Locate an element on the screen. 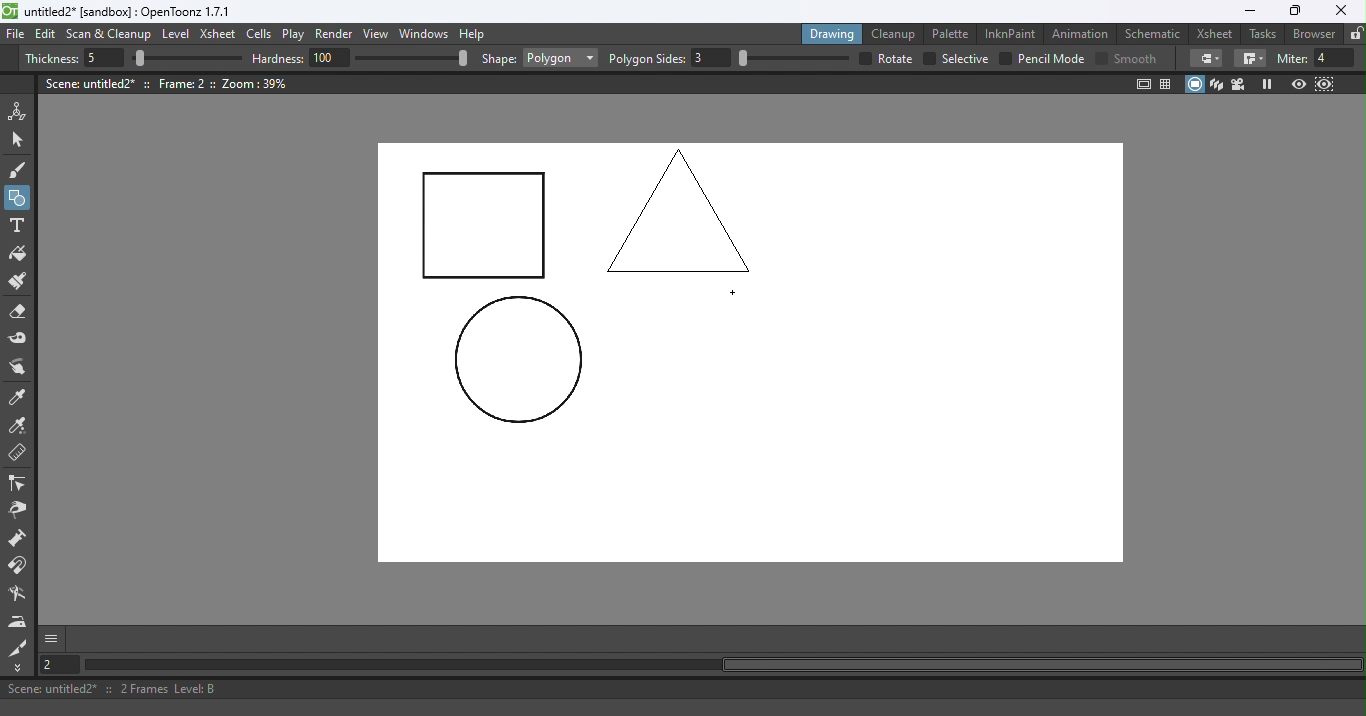 The image size is (1366, 716). Selection tool is located at coordinates (21, 139).